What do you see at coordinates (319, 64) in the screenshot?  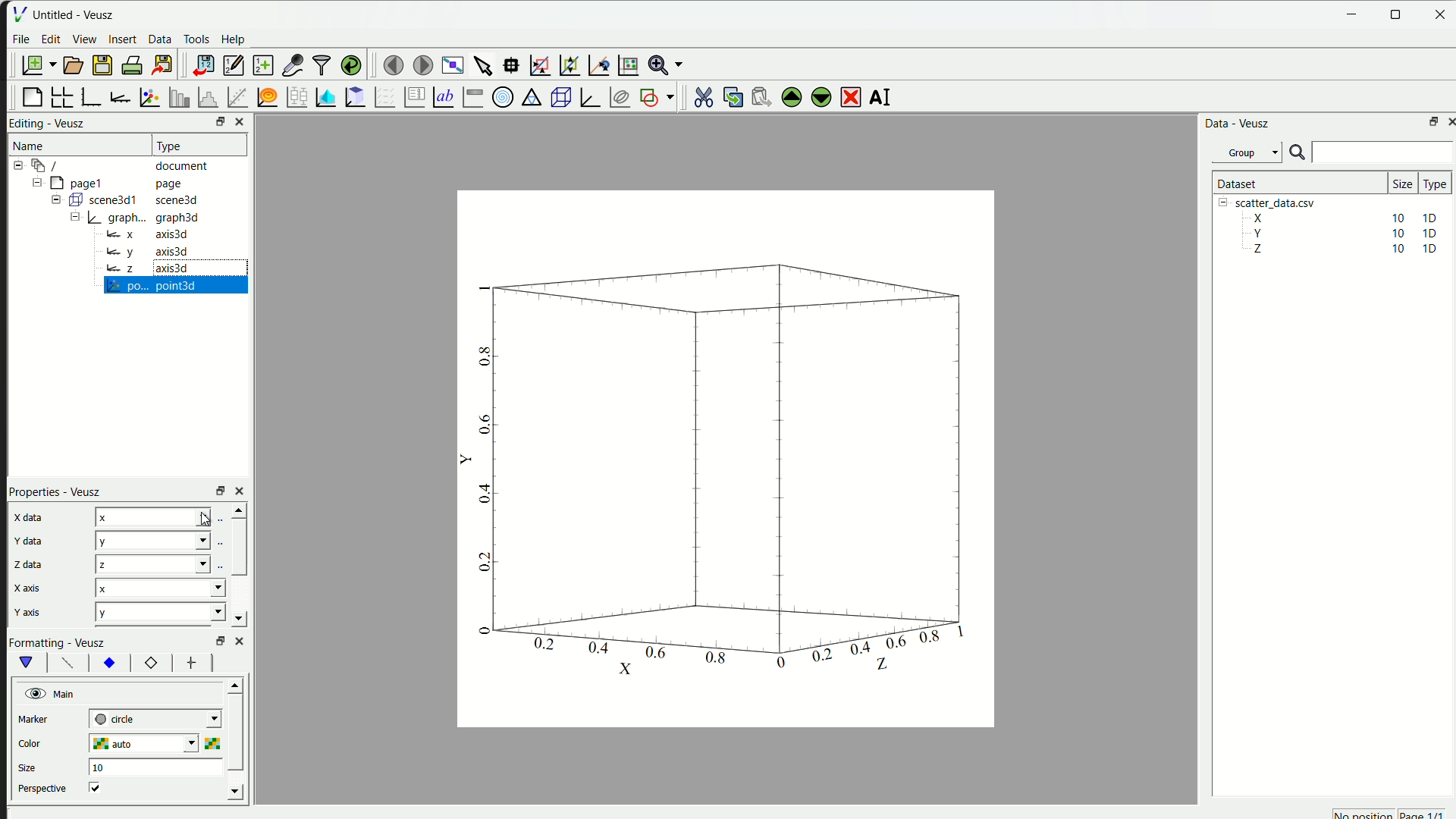 I see `filter data` at bounding box center [319, 64].